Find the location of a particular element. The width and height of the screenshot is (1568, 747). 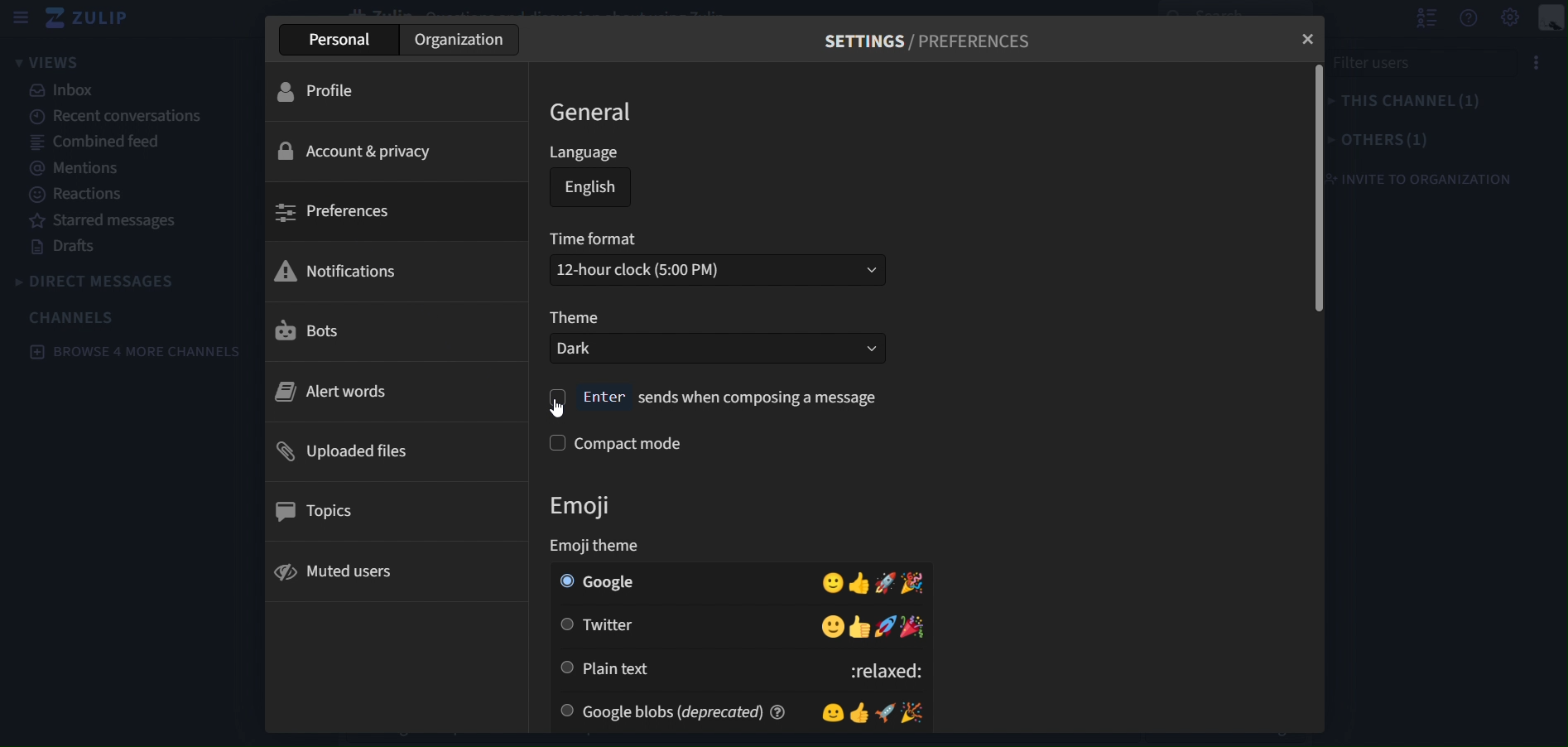

dark is located at coordinates (691, 349).